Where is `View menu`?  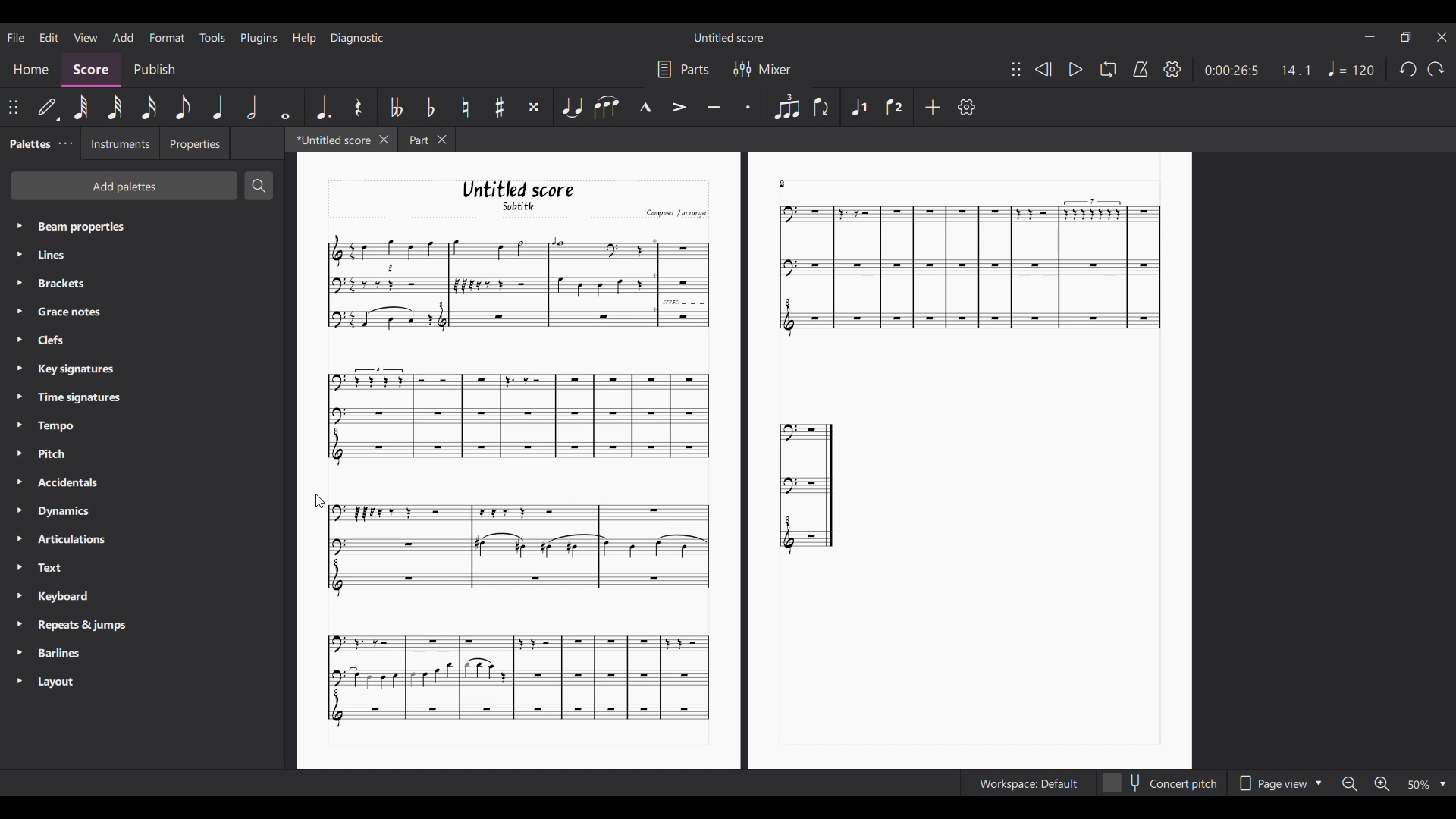
View menu is located at coordinates (86, 36).